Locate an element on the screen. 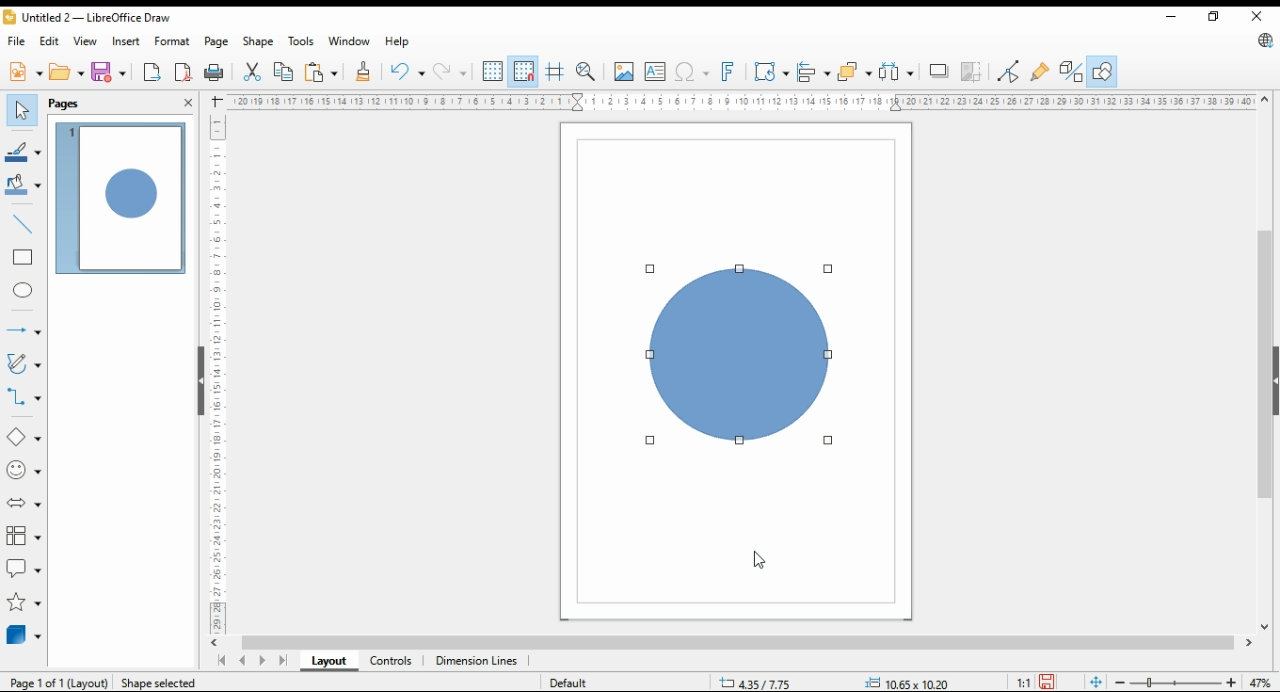 The image size is (1280, 692). format is located at coordinates (173, 41).